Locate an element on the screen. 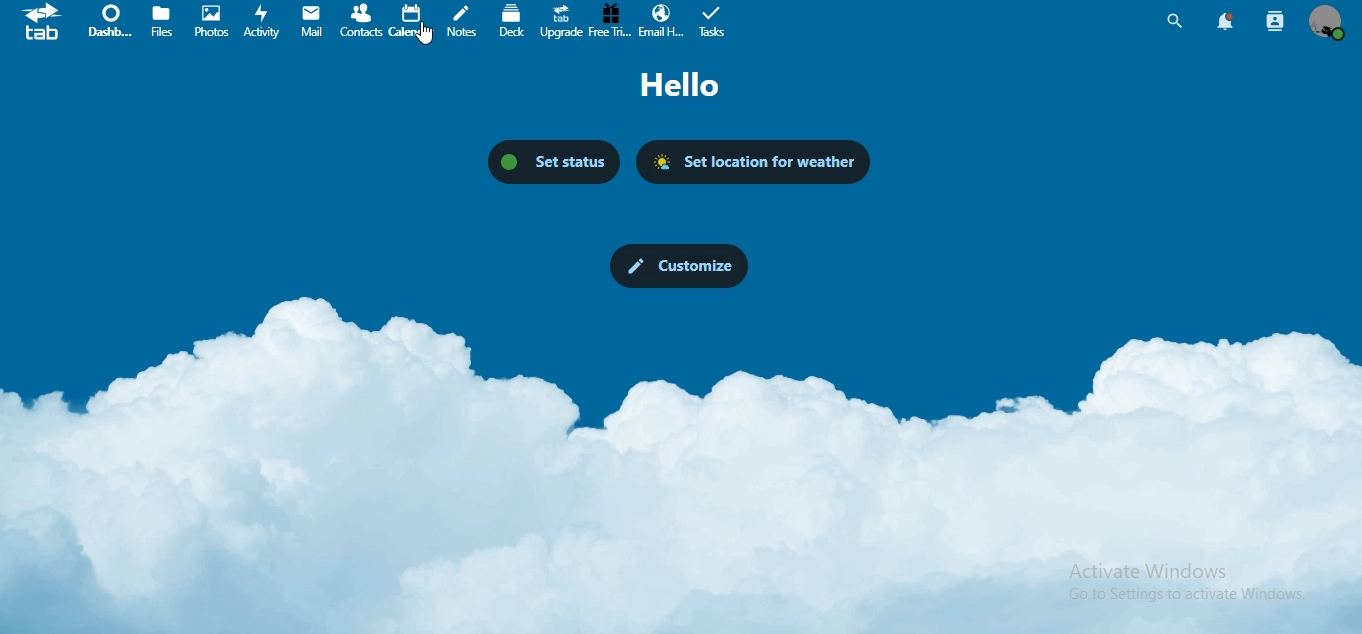 This screenshot has height=634, width=1362. photos is located at coordinates (212, 22).